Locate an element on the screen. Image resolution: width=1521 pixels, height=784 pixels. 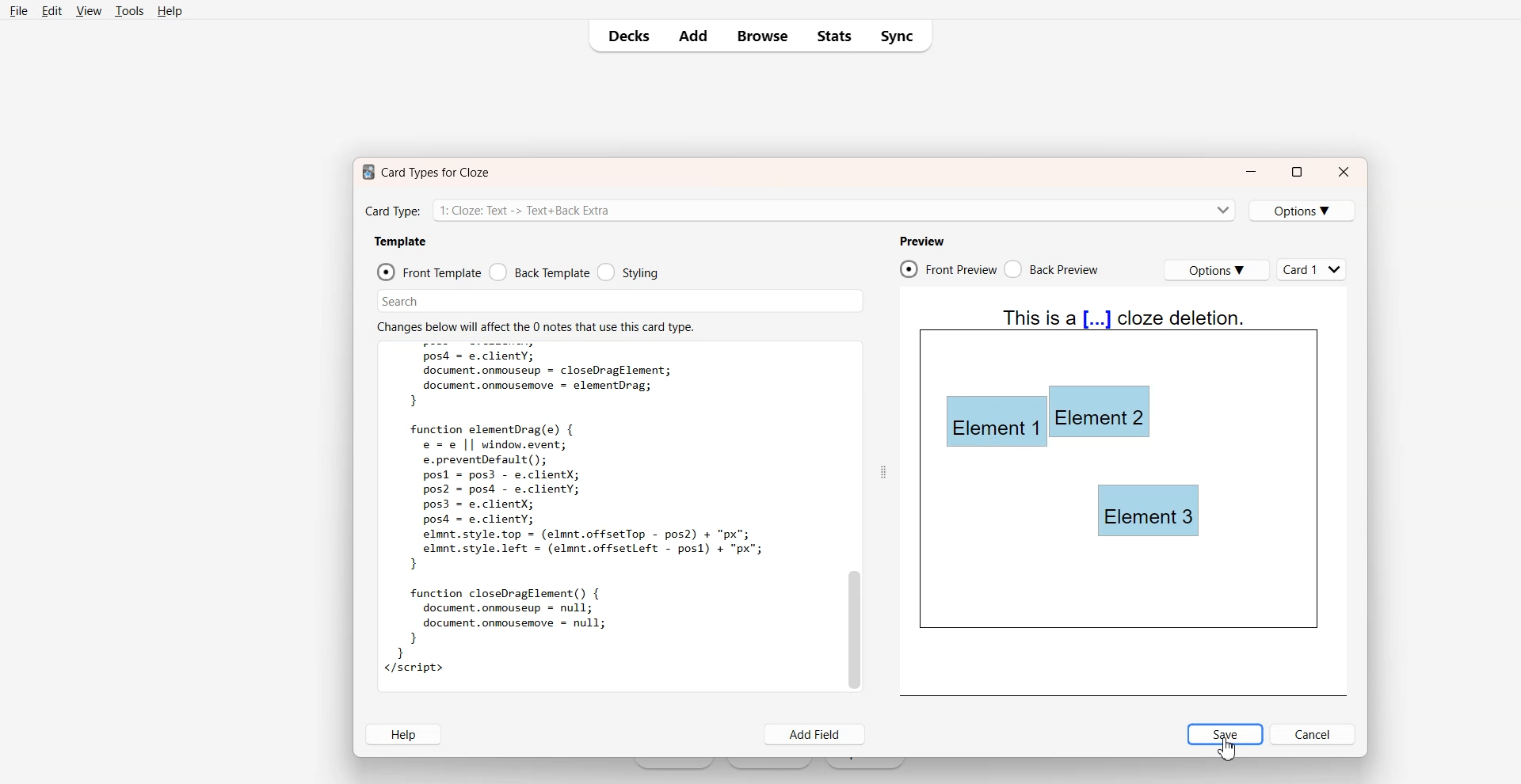
Card Type is located at coordinates (799, 209).